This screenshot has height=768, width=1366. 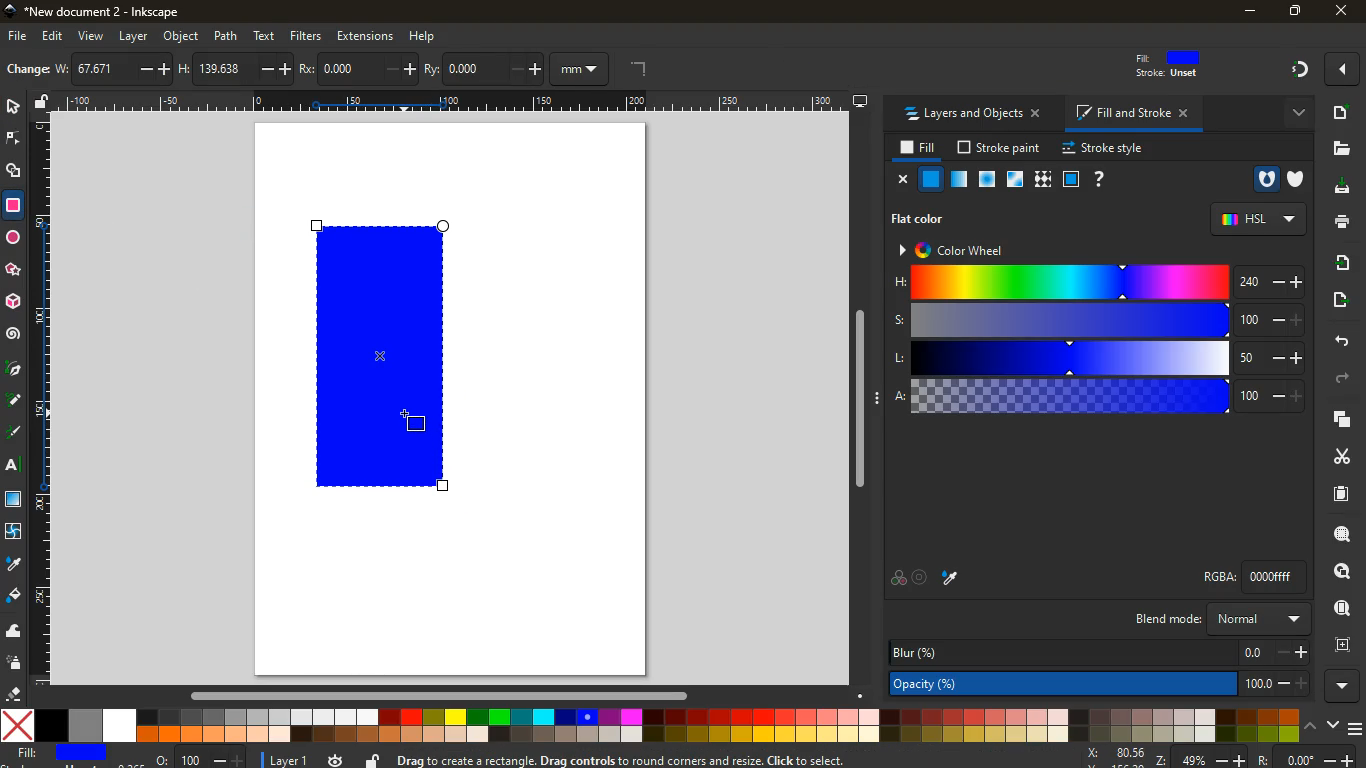 What do you see at coordinates (1336, 494) in the screenshot?
I see `paper` at bounding box center [1336, 494].